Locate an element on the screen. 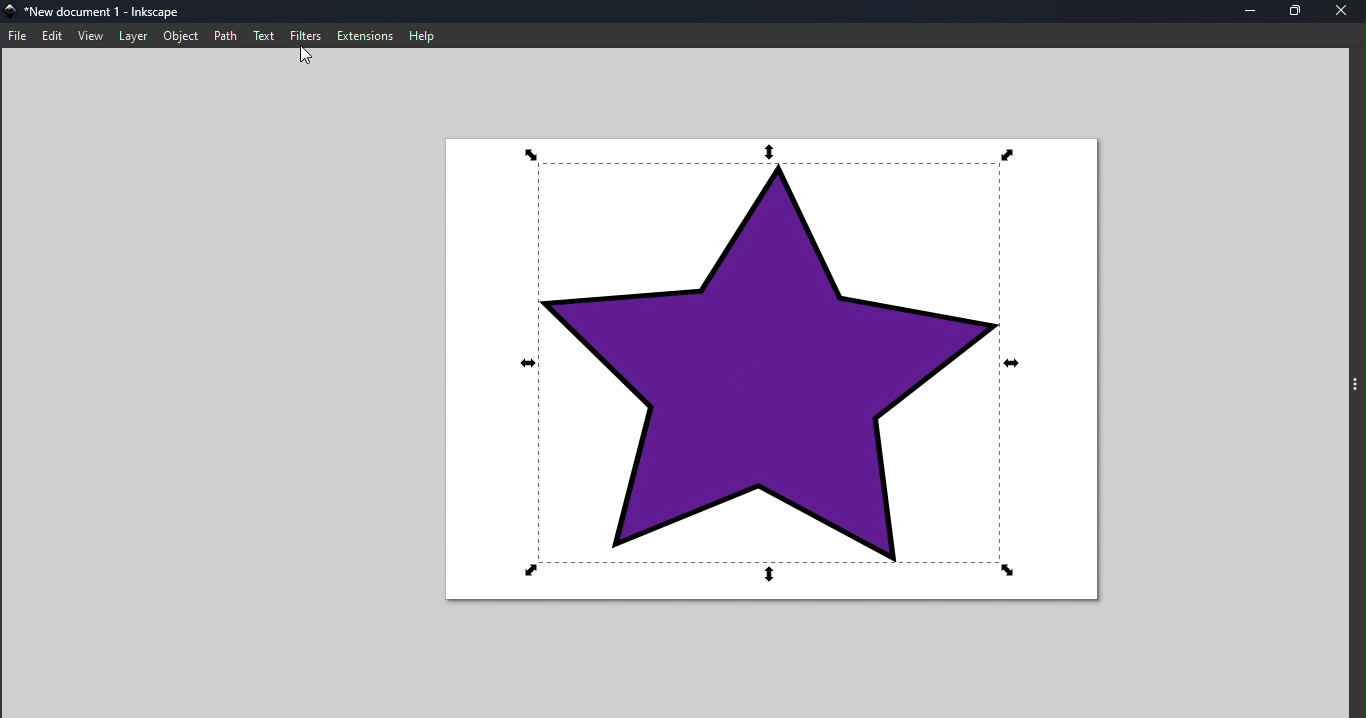 This screenshot has height=718, width=1366. File is located at coordinates (17, 37).